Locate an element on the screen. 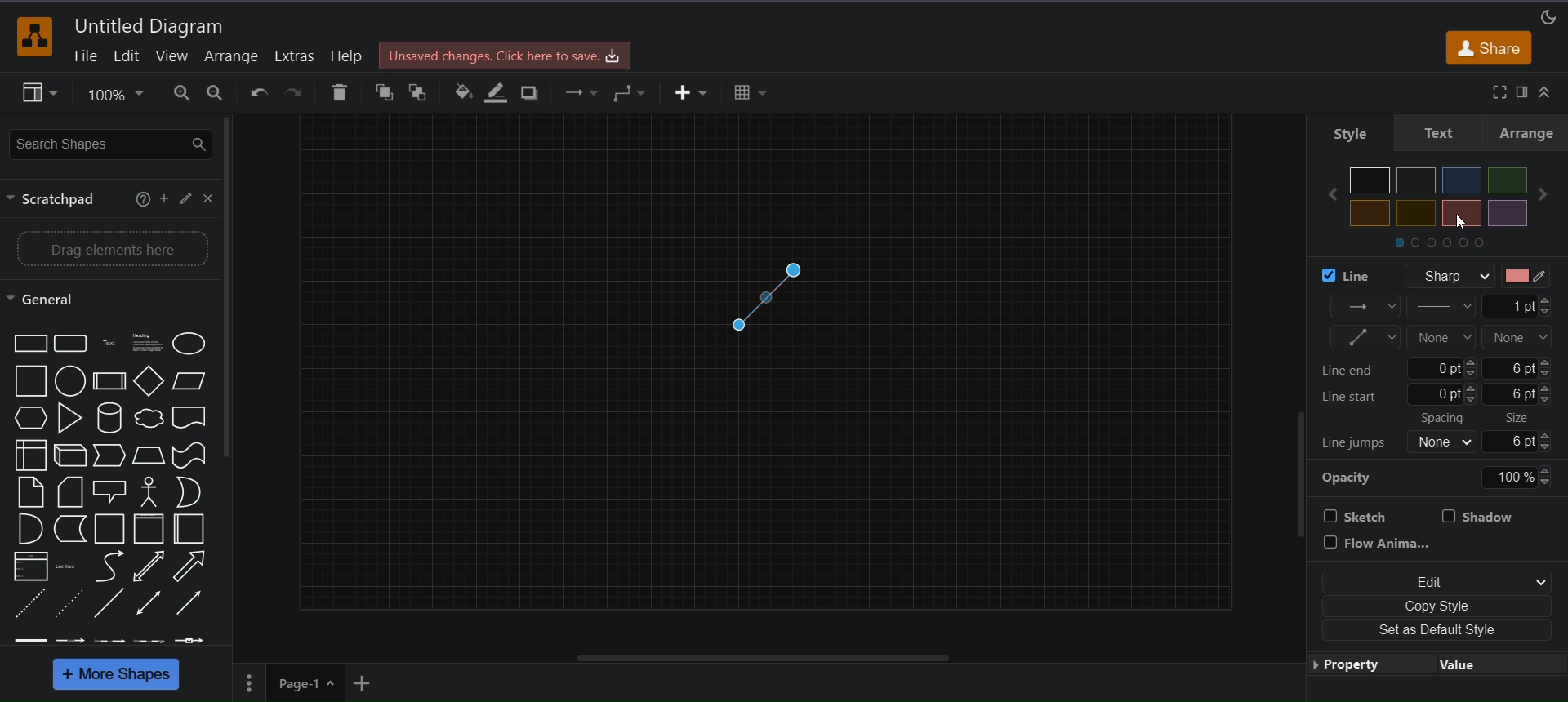 This screenshot has width=1568, height=702. line width is located at coordinates (1520, 306).